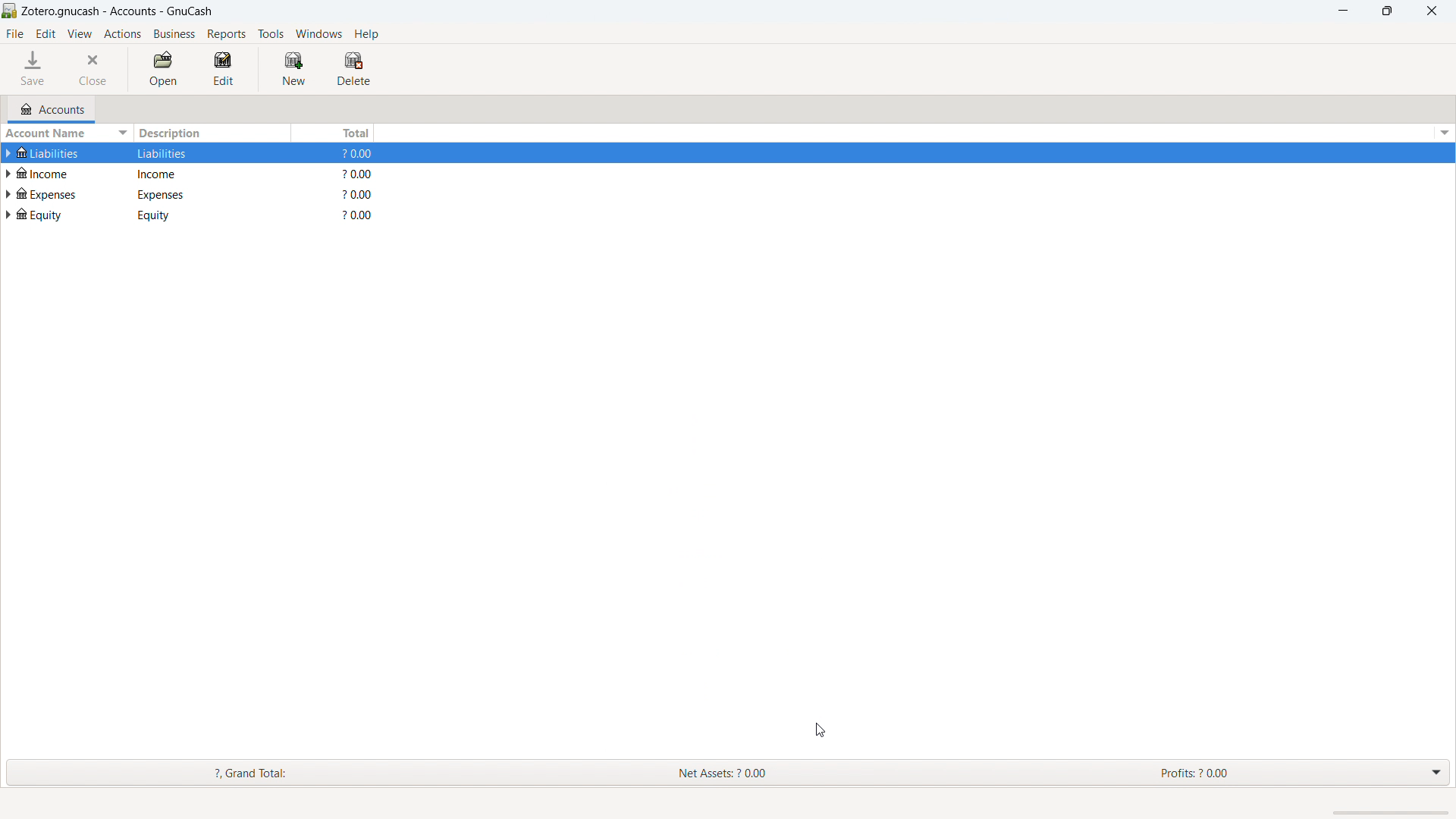 The height and width of the screenshot is (819, 1456). I want to click on view, so click(80, 34).